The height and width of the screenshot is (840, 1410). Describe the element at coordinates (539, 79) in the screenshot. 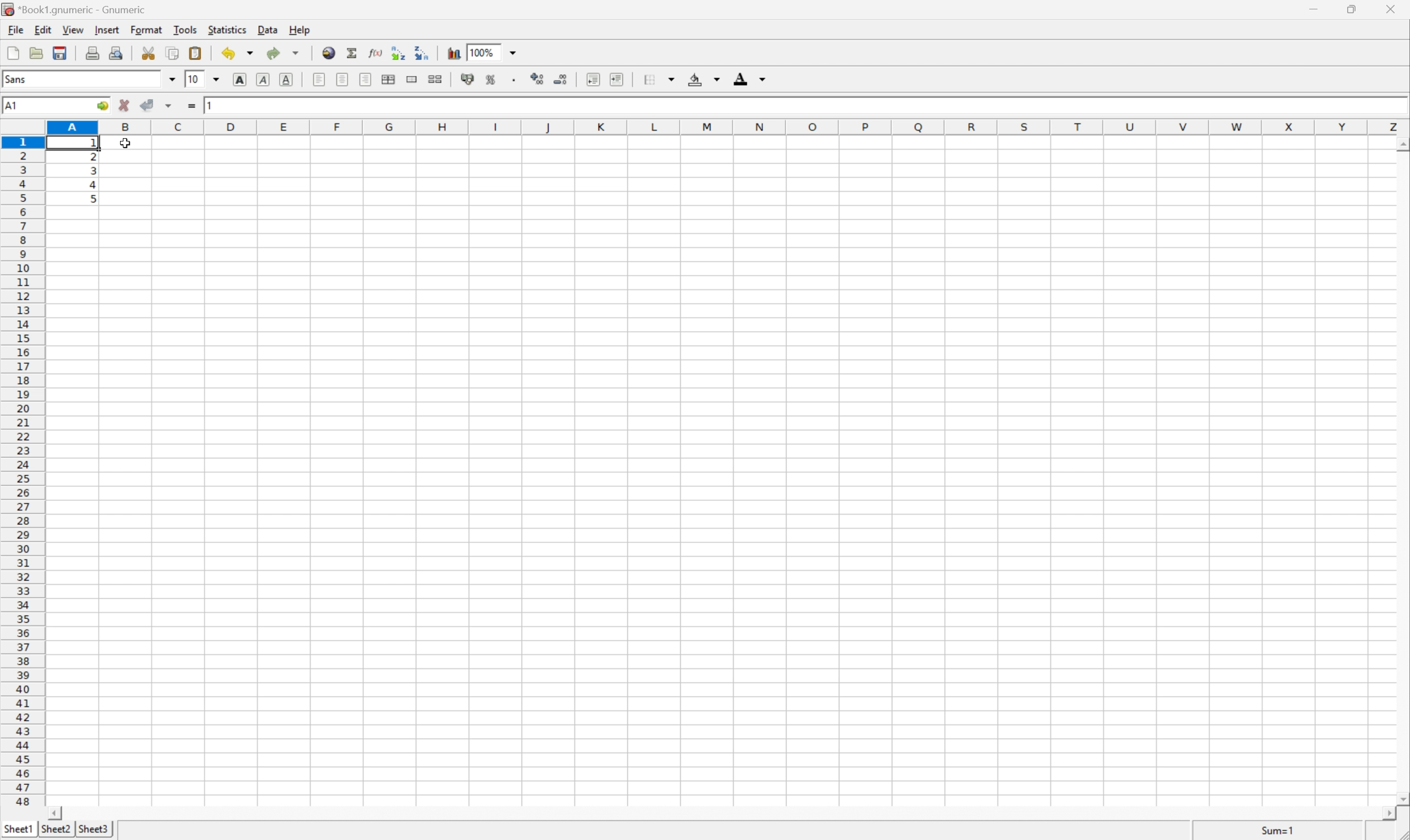

I see `Increase the decimals displayed` at that location.